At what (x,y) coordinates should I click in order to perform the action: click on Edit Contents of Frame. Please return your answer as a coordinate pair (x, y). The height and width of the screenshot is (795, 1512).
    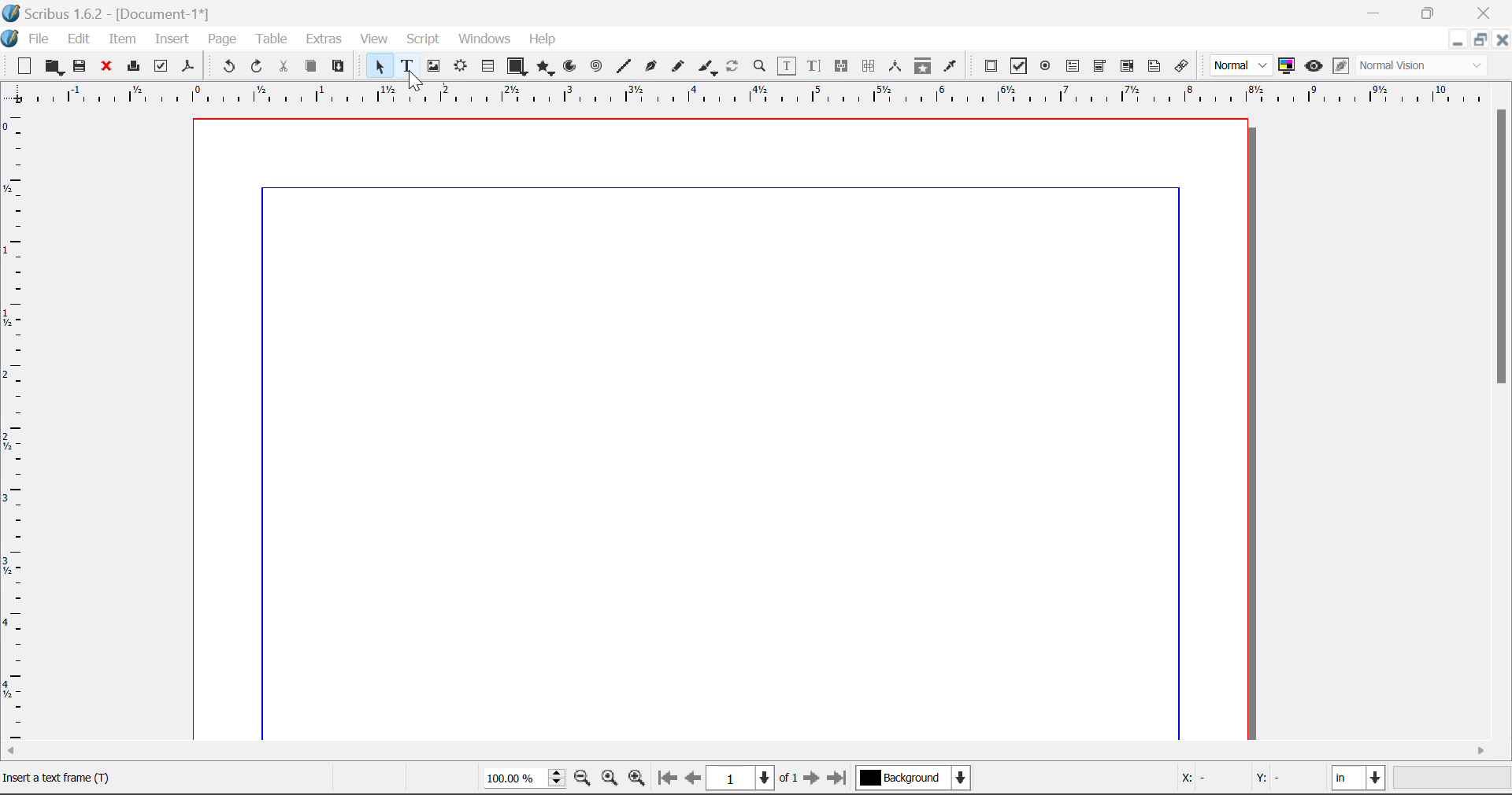
    Looking at the image, I should click on (787, 65).